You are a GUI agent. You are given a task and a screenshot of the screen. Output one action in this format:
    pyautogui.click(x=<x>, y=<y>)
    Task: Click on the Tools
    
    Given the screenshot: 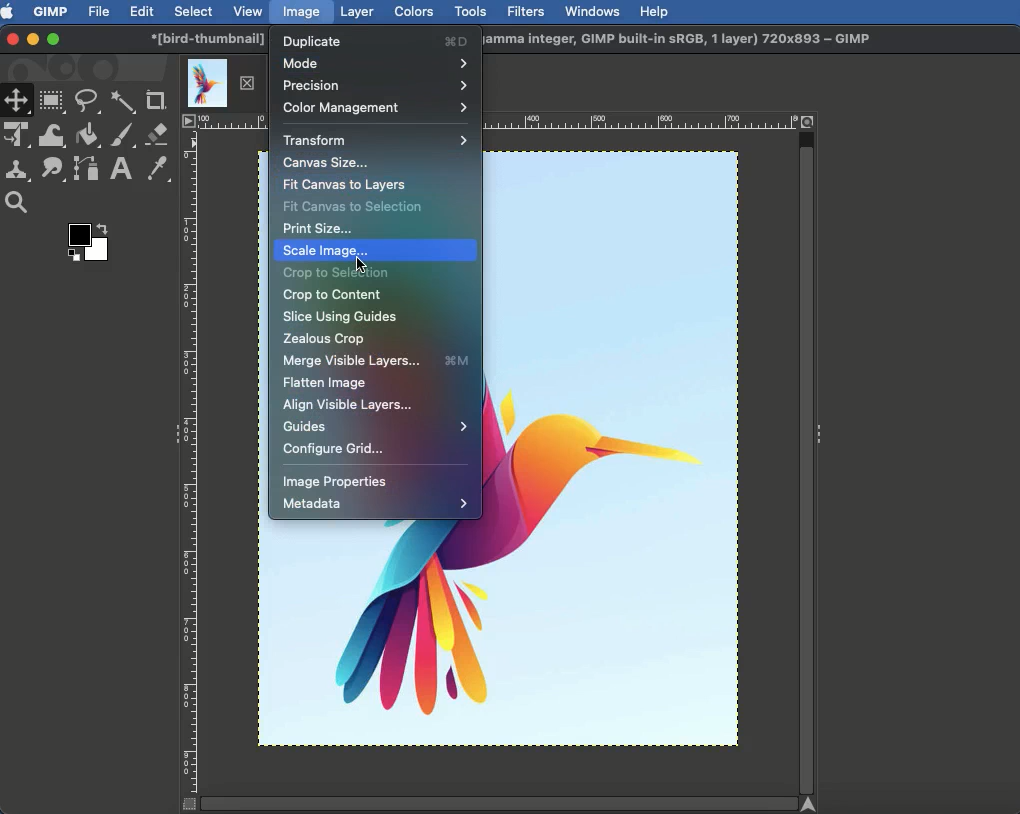 What is the action you would take?
    pyautogui.click(x=469, y=12)
    